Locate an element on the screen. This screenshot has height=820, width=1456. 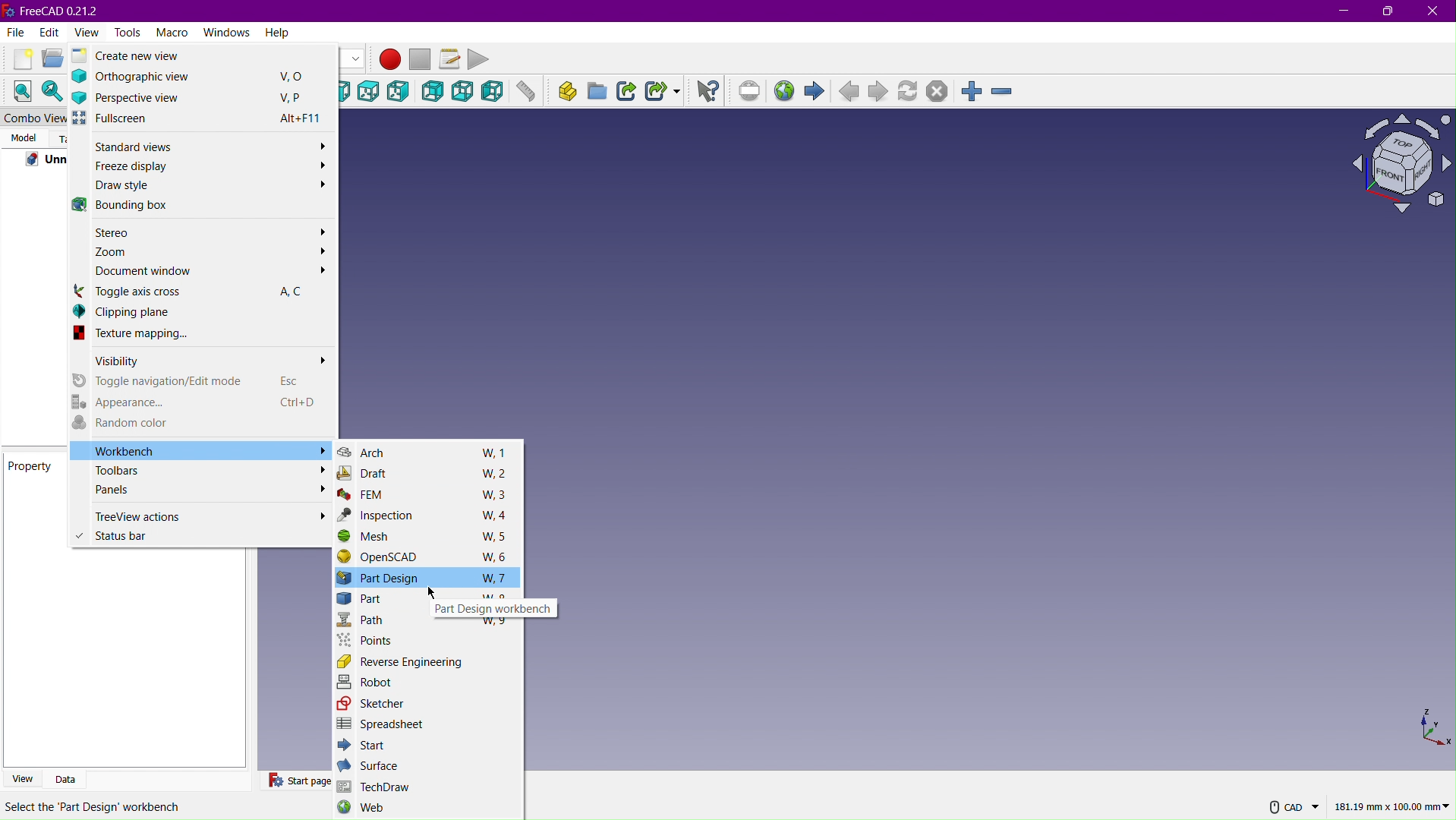
Set URL is located at coordinates (751, 92).